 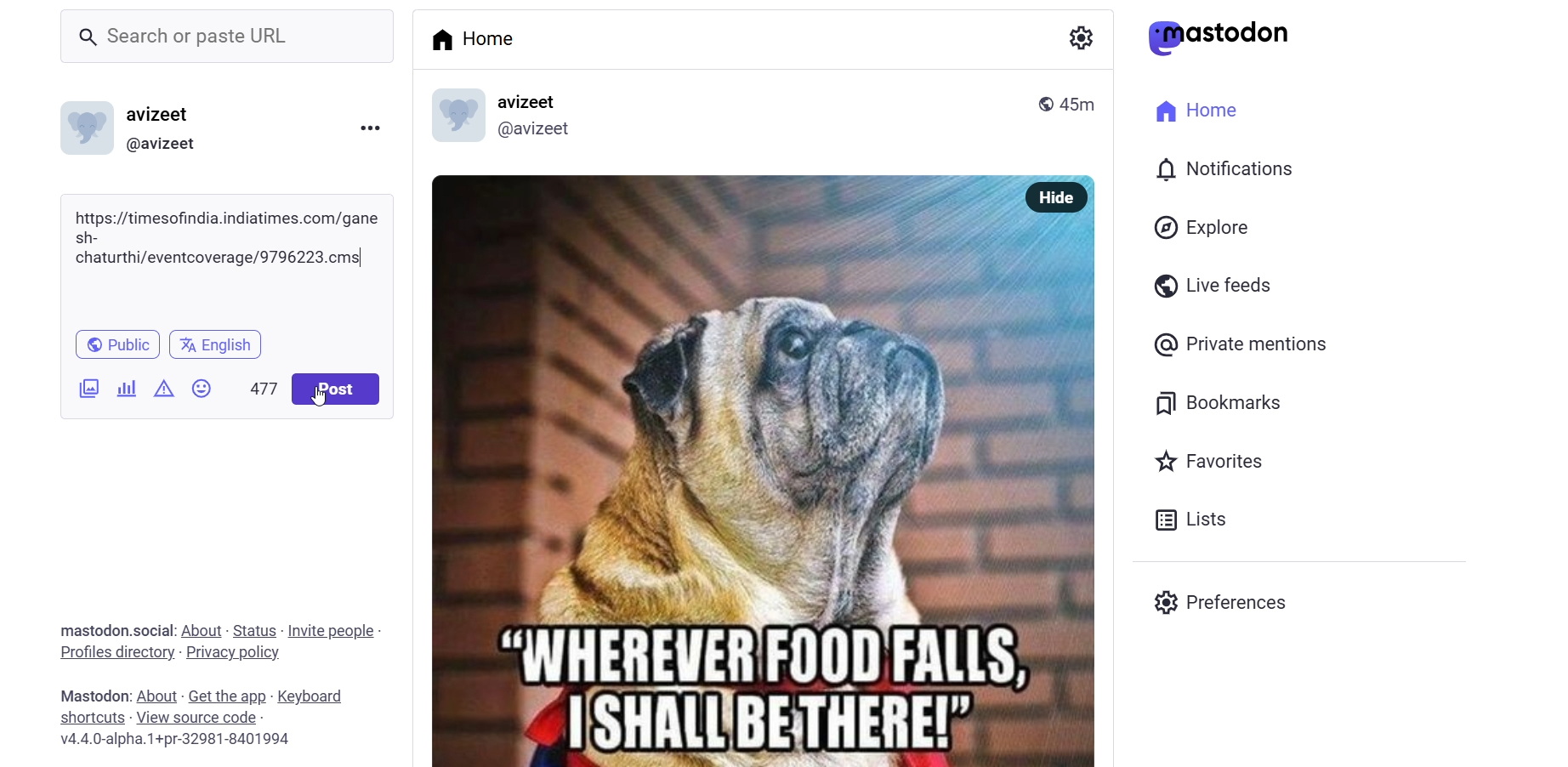 What do you see at coordinates (1067, 201) in the screenshot?
I see `Hide |` at bounding box center [1067, 201].